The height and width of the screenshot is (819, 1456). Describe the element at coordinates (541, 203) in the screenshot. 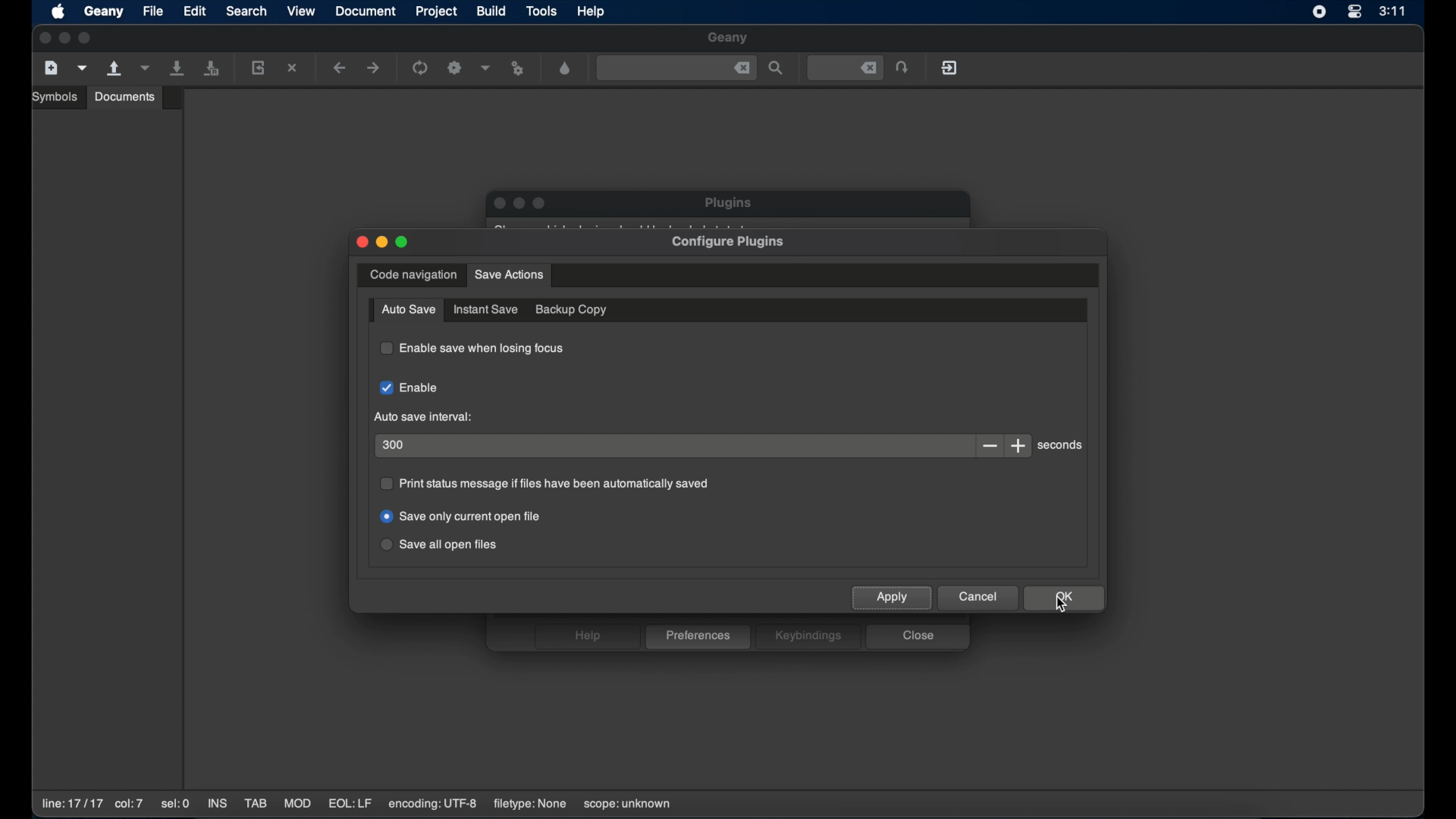

I see `maximize` at that location.